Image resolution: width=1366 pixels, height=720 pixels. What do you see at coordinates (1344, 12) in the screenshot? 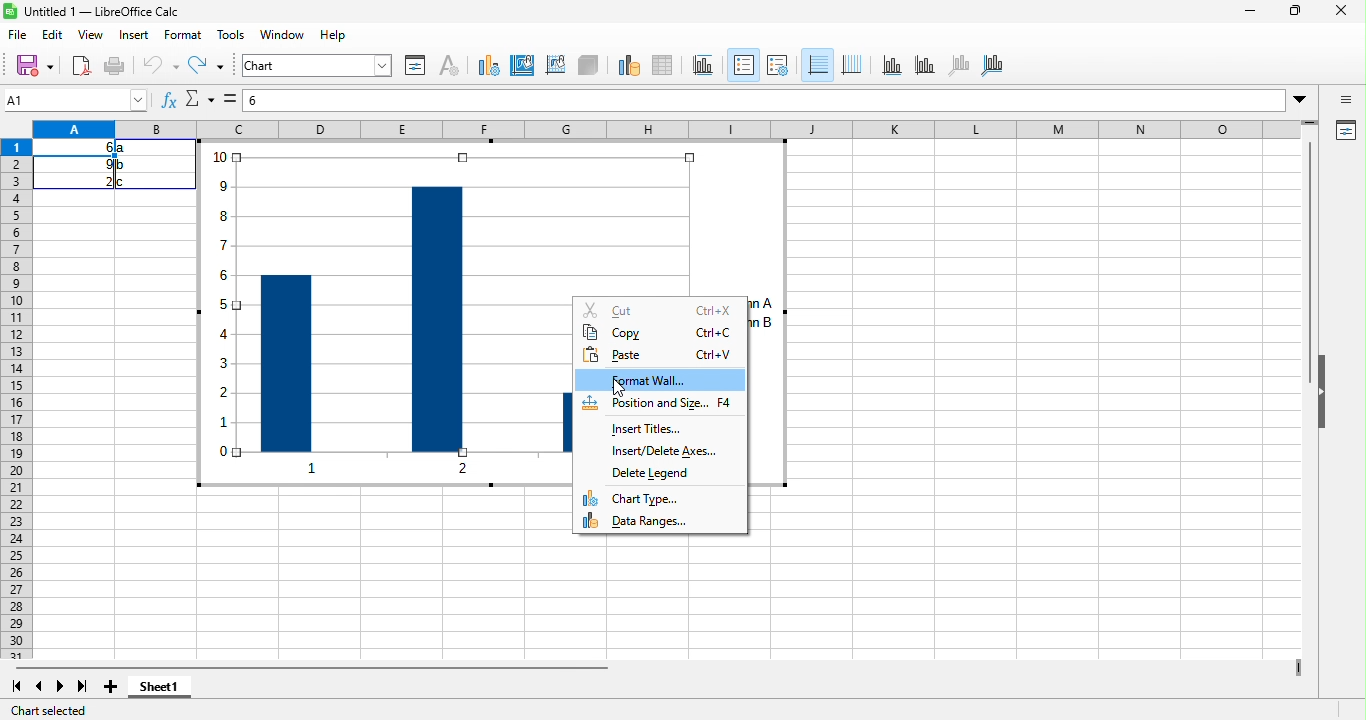
I see `close` at bounding box center [1344, 12].